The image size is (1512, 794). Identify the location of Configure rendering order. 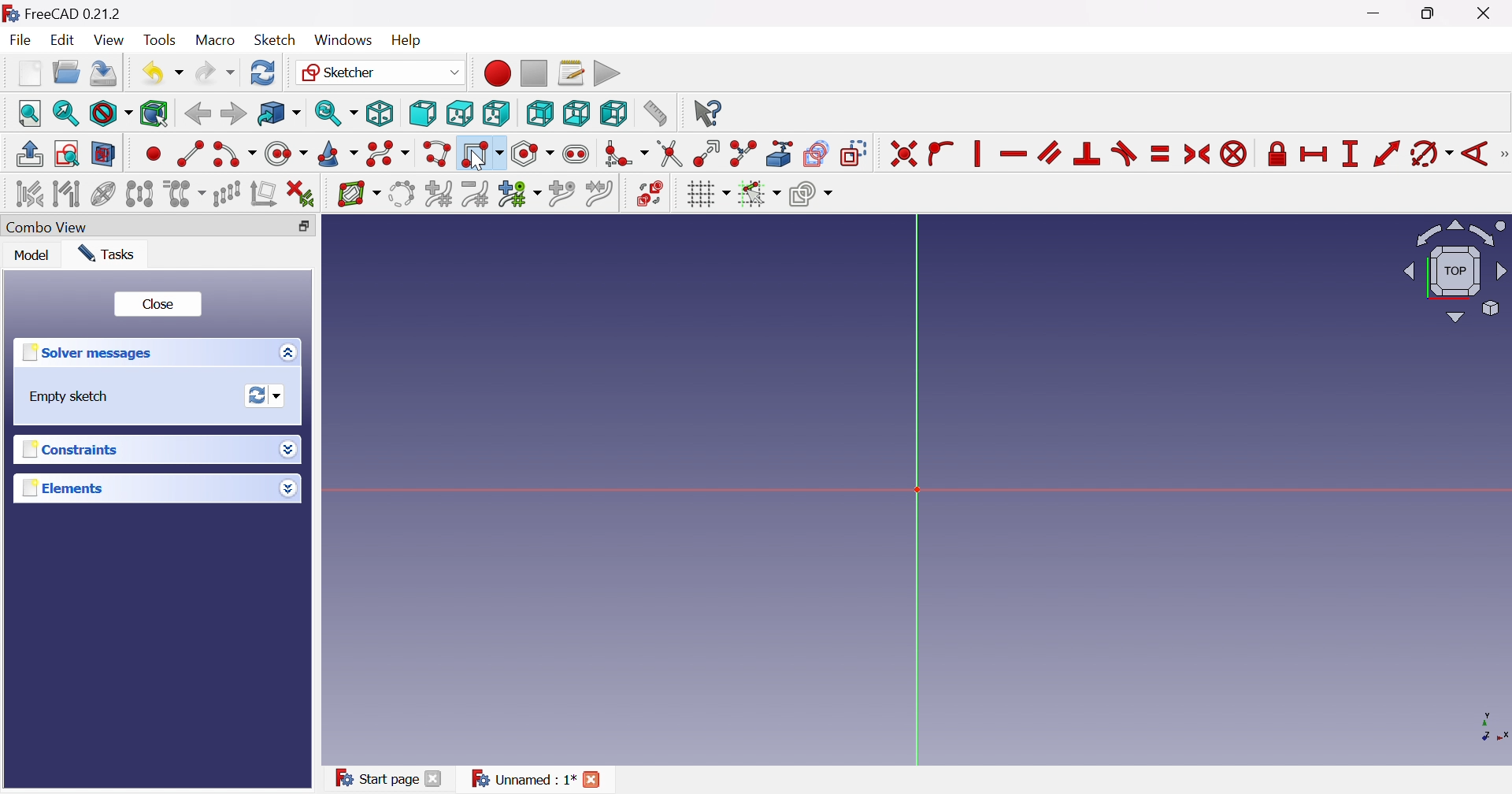
(810, 193).